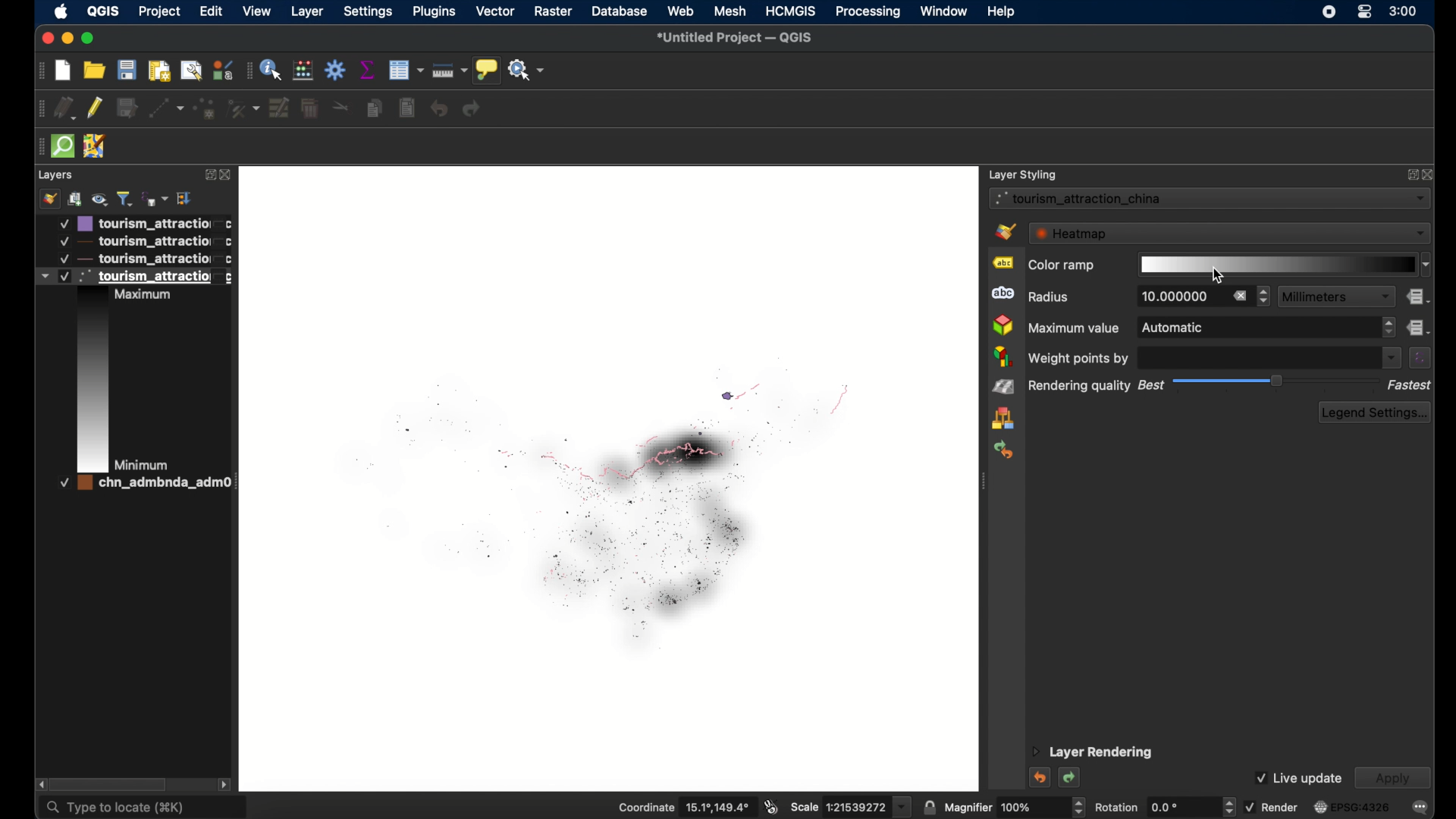  I want to click on styling manager, so click(221, 71).